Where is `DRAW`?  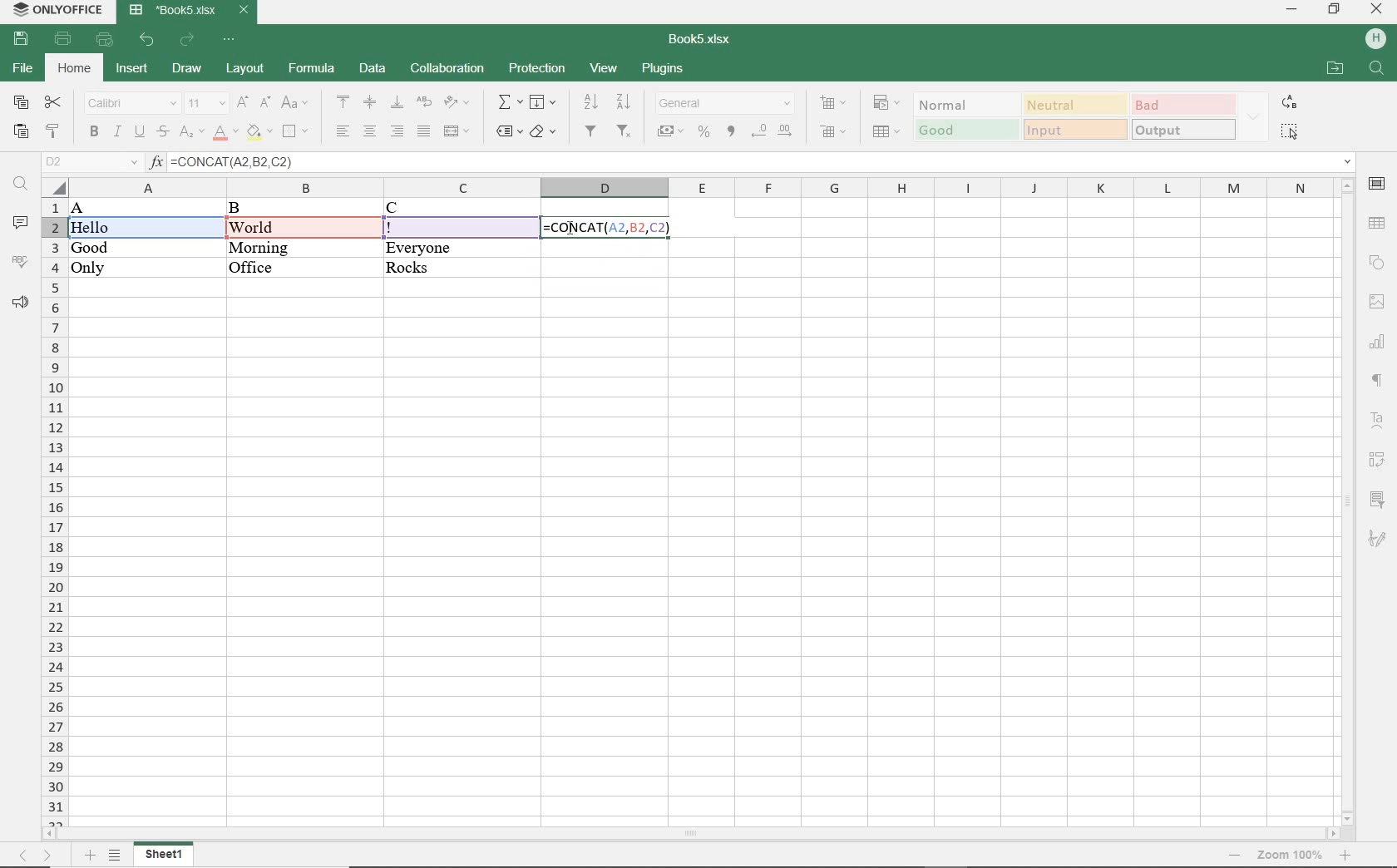
DRAW is located at coordinates (188, 69).